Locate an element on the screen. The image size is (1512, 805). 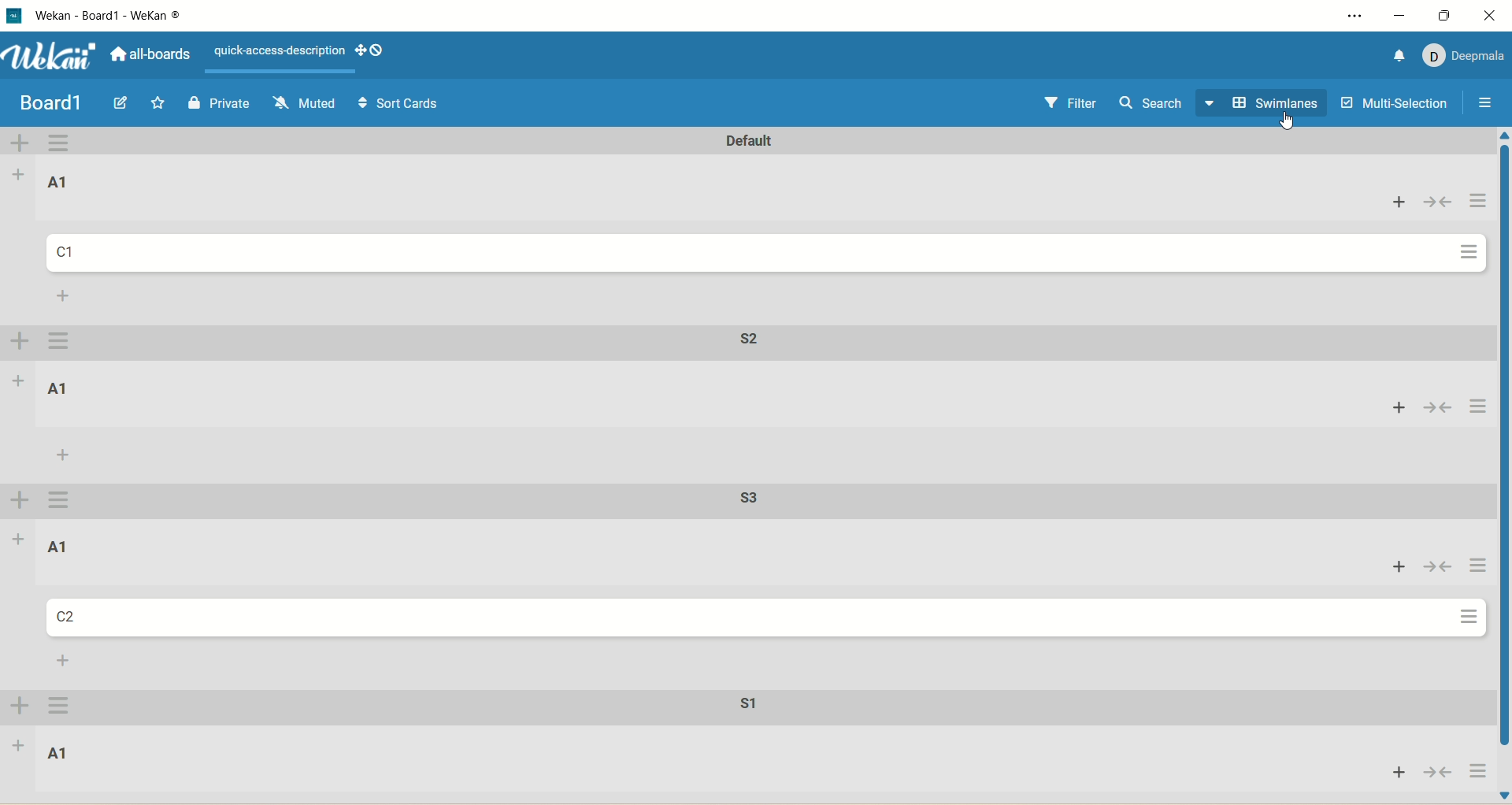
multi-selection is located at coordinates (1393, 102).